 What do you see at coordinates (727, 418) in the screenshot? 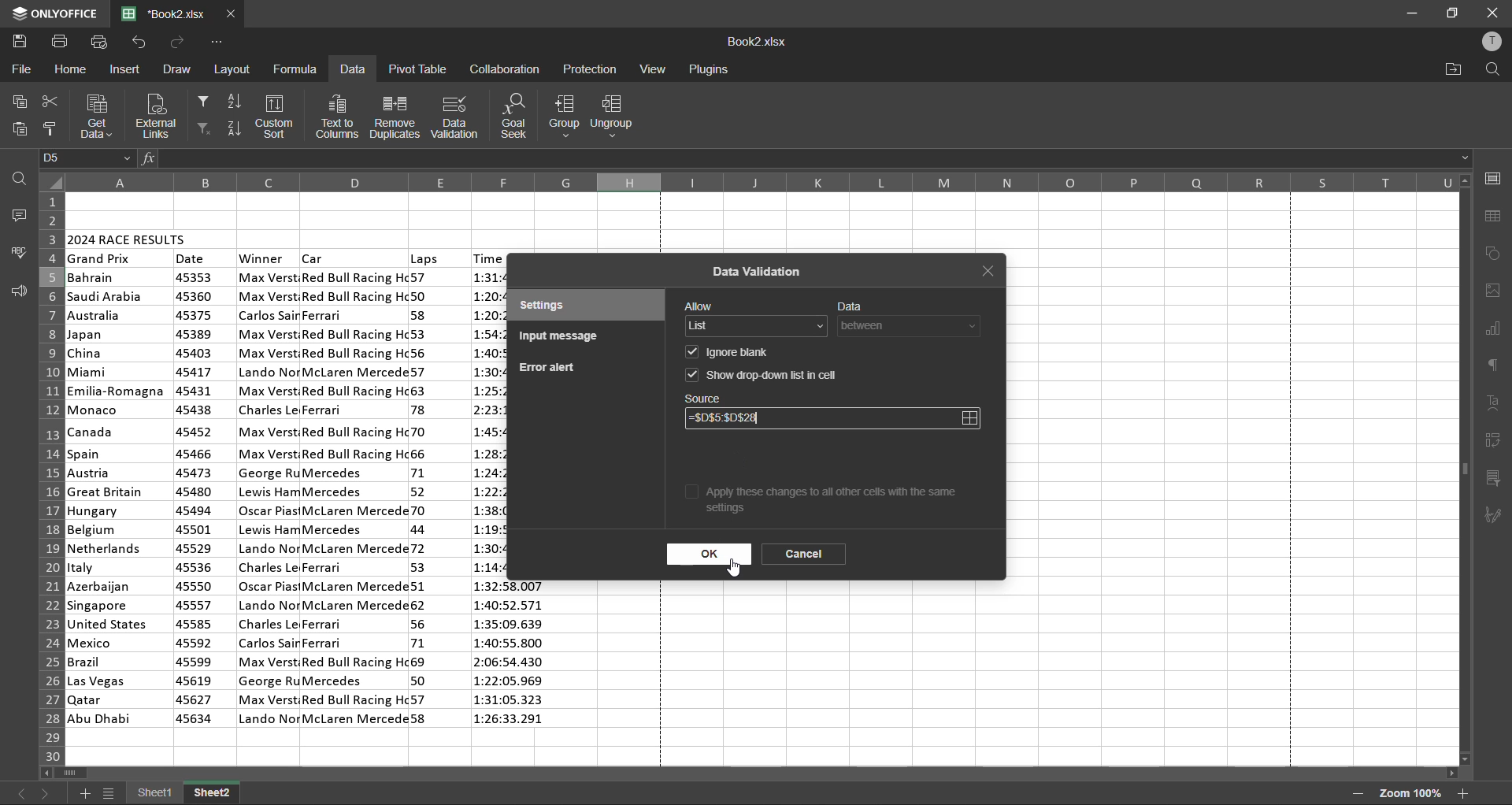
I see `source updated` at bounding box center [727, 418].